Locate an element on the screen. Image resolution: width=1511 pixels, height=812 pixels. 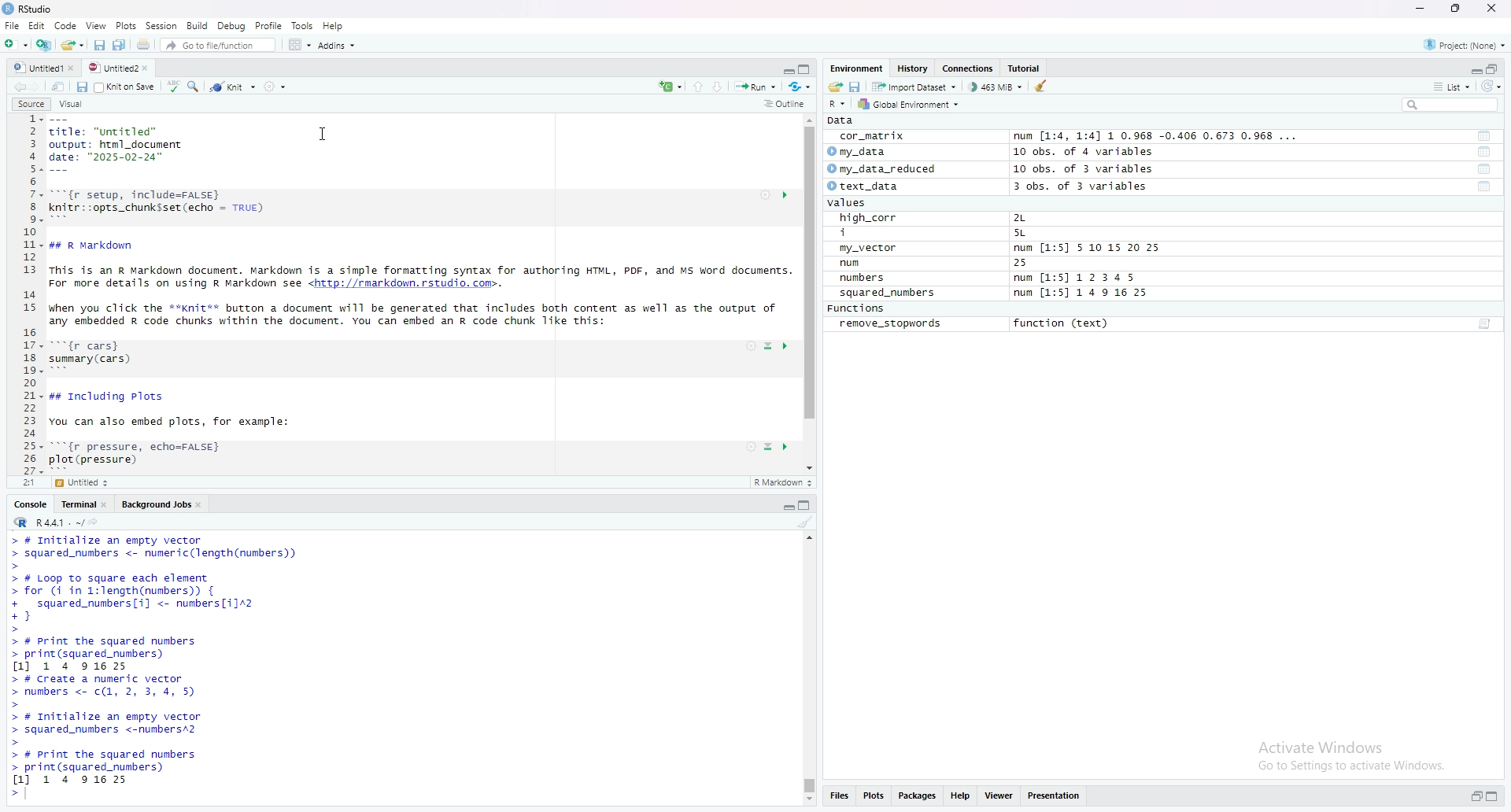
Presentation is located at coordinates (1053, 796).